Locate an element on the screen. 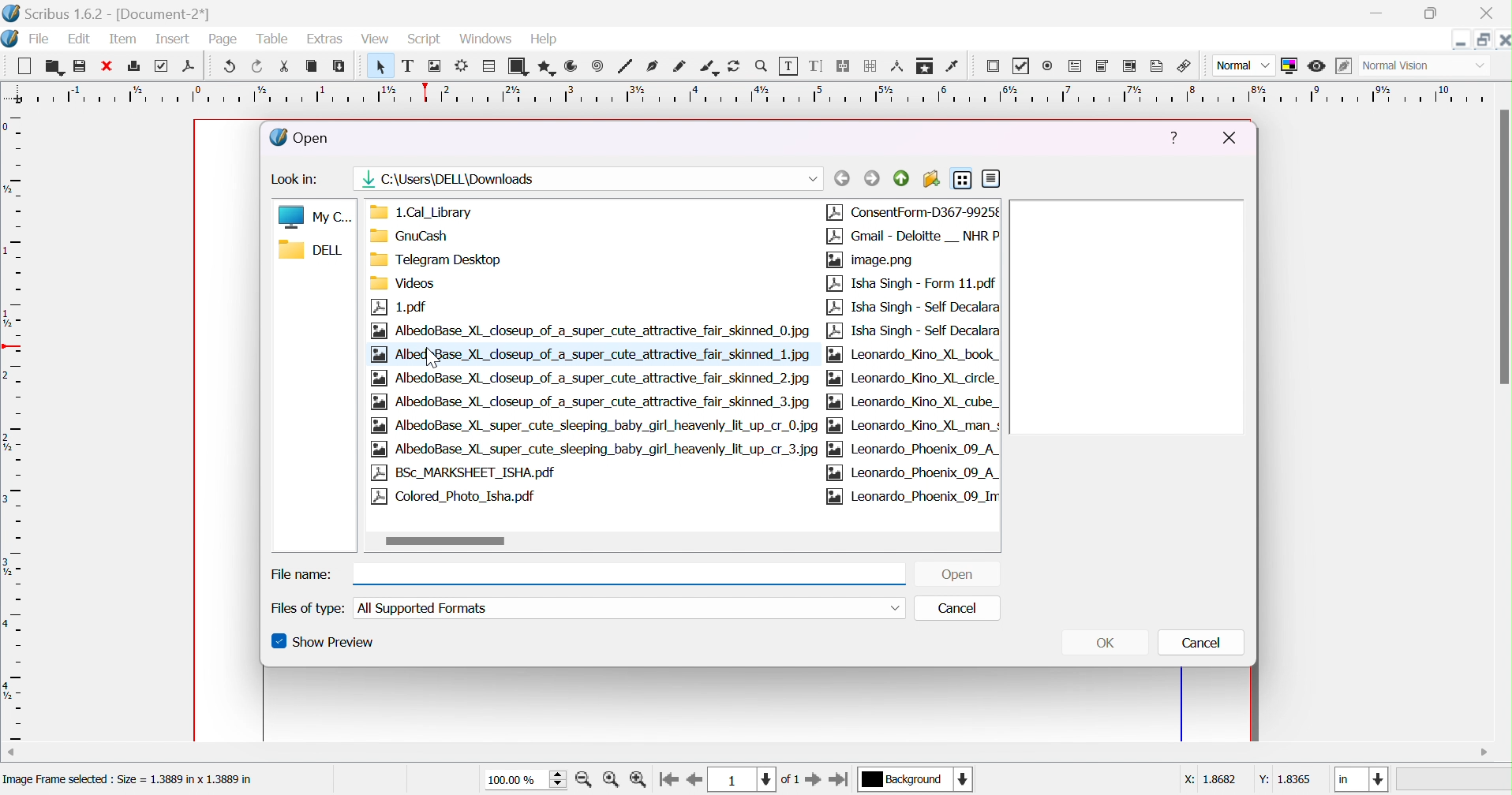  Videos is located at coordinates (402, 282).